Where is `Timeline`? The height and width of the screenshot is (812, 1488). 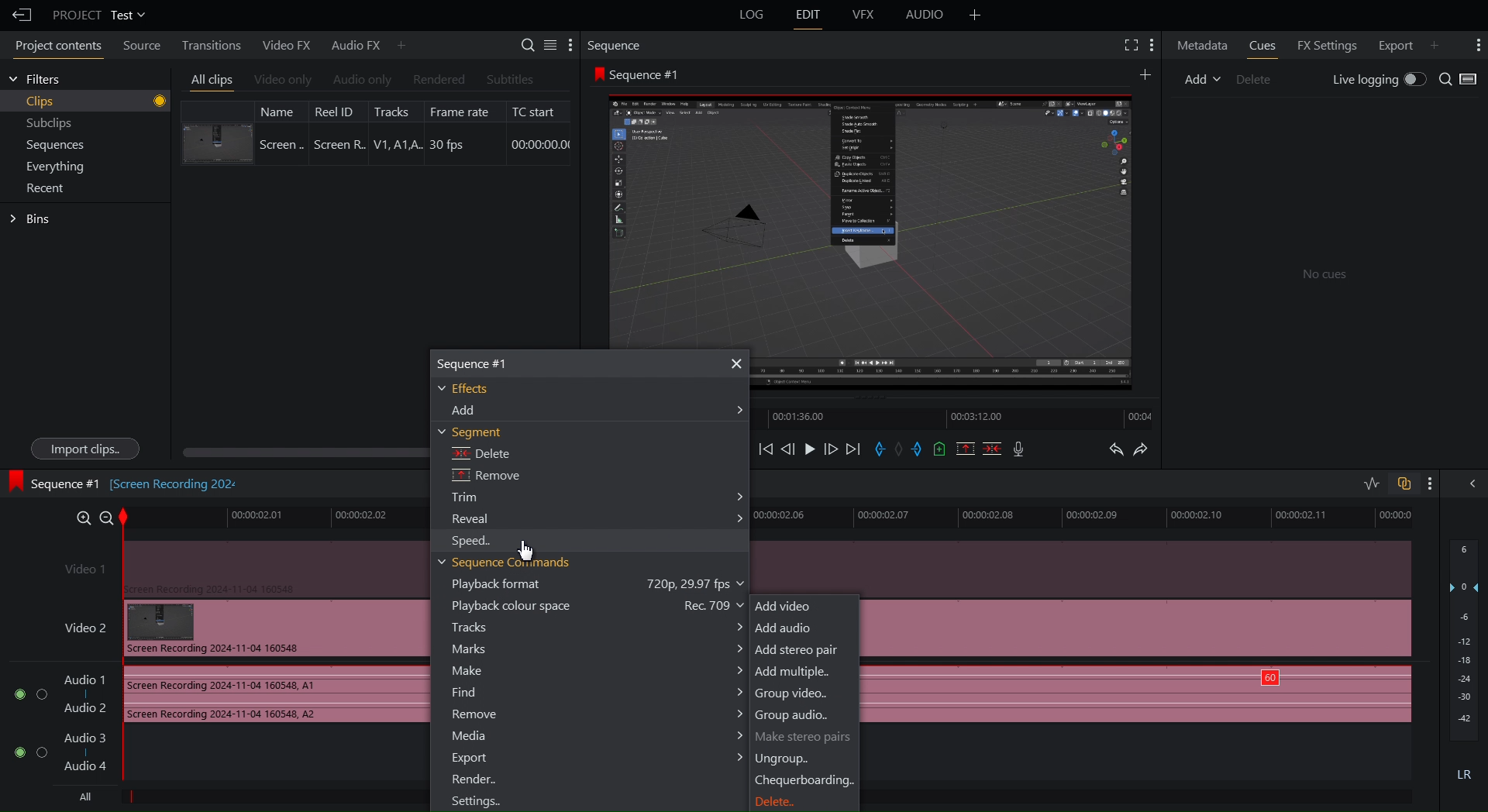 Timeline is located at coordinates (271, 517).